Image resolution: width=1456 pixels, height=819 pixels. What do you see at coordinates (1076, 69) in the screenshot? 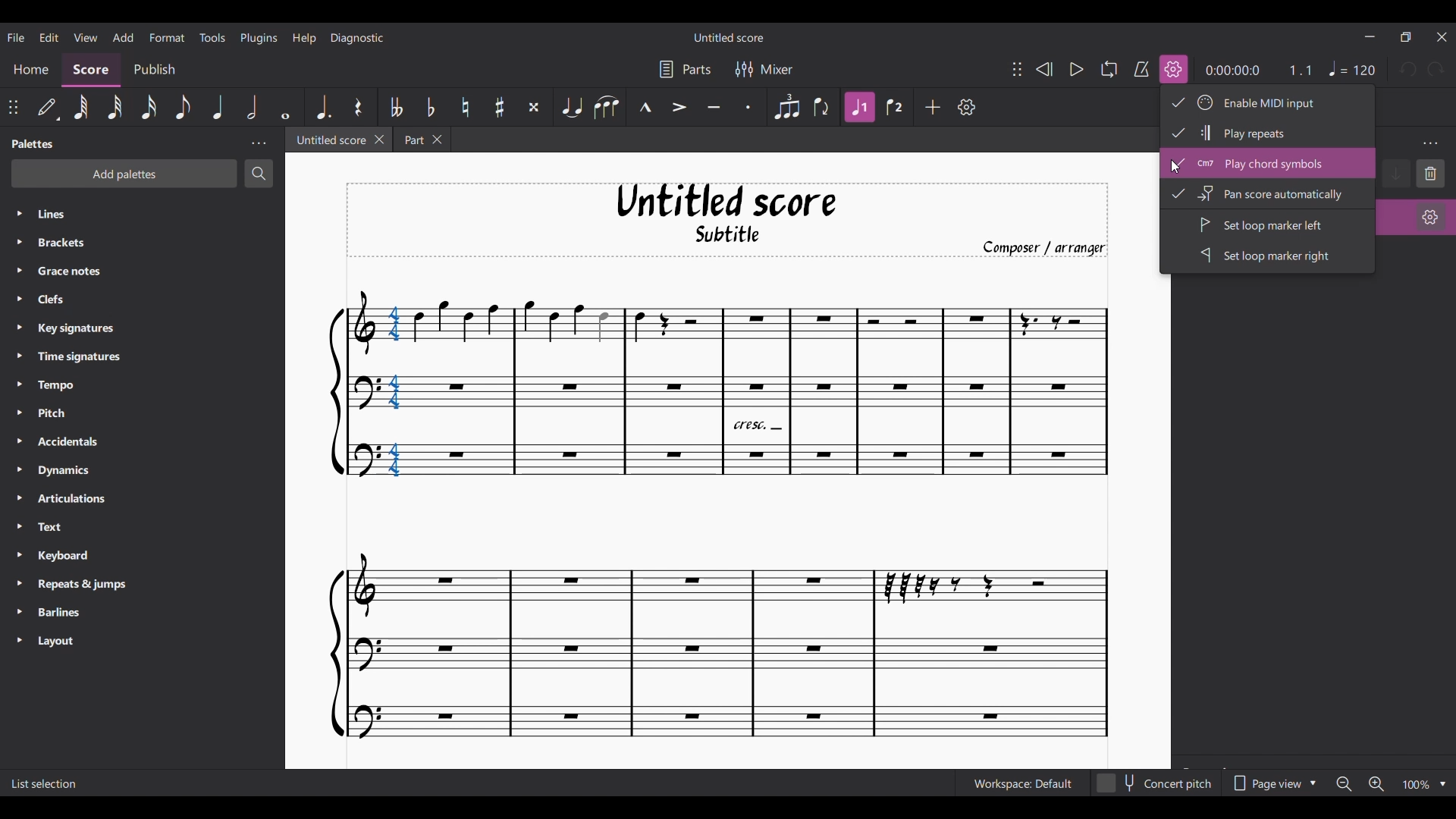
I see `Play` at bounding box center [1076, 69].